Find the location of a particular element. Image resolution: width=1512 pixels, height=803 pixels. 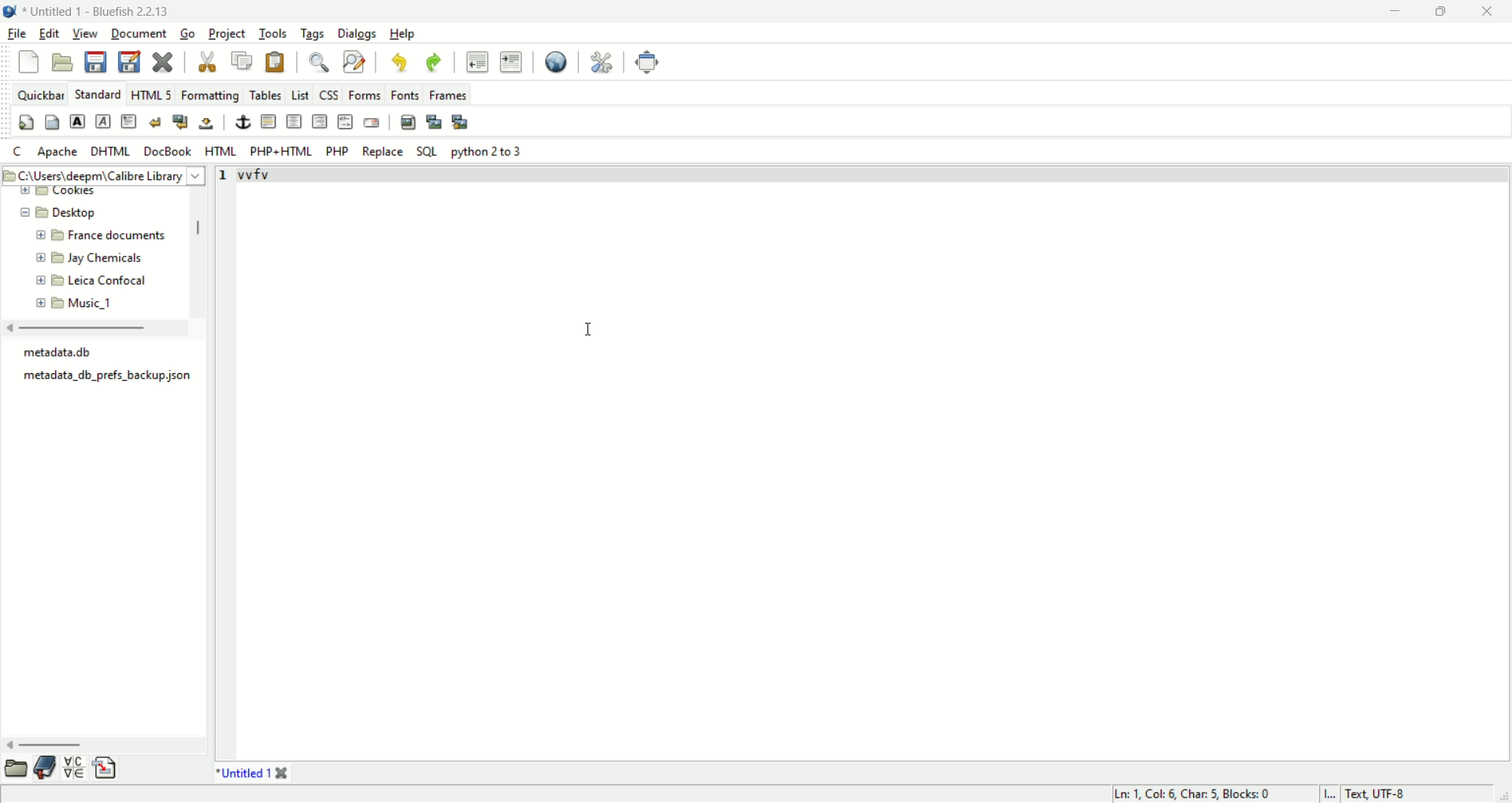

CSS is located at coordinates (329, 93).